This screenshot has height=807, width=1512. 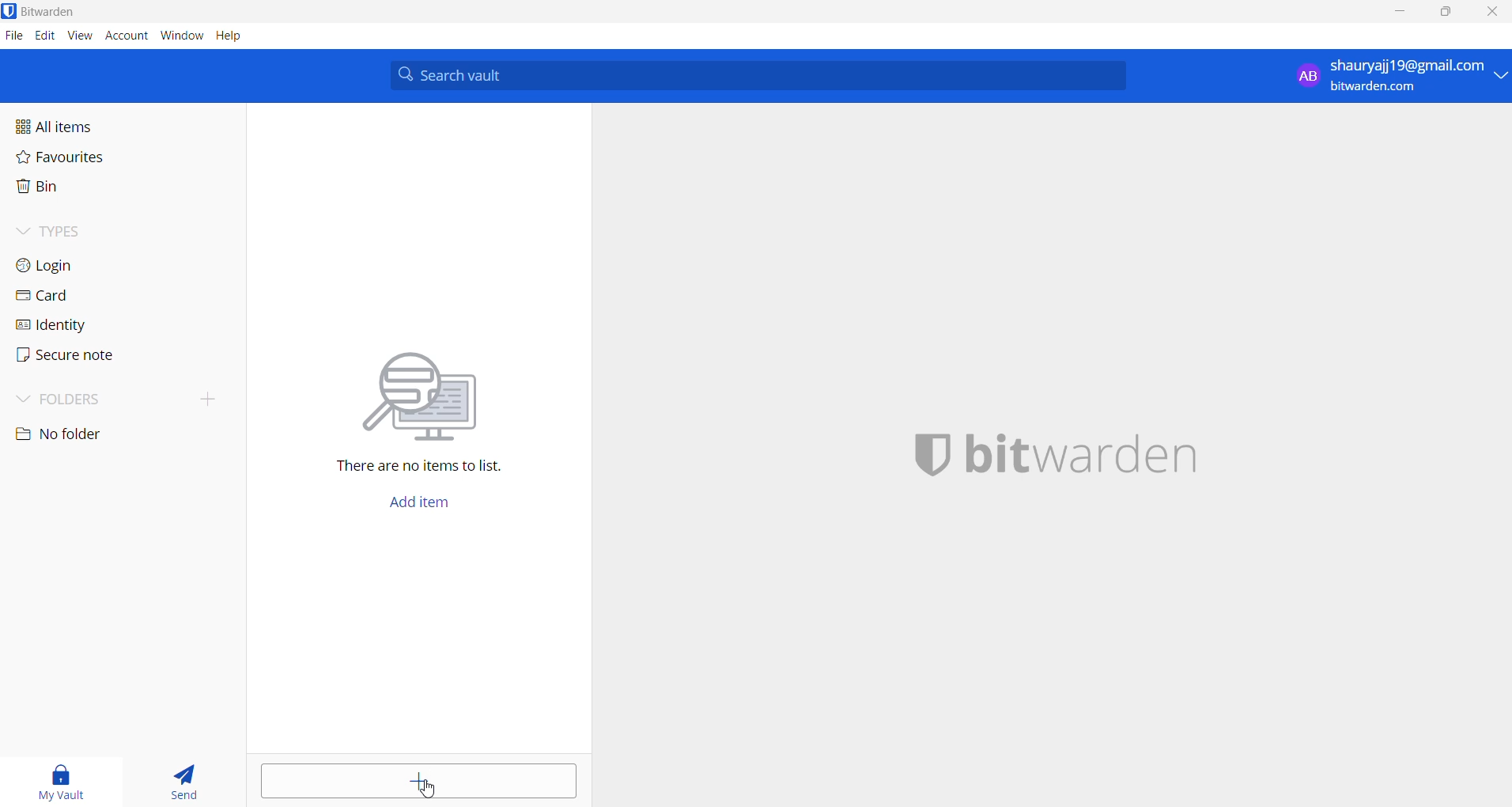 I want to click on close, so click(x=1493, y=13).